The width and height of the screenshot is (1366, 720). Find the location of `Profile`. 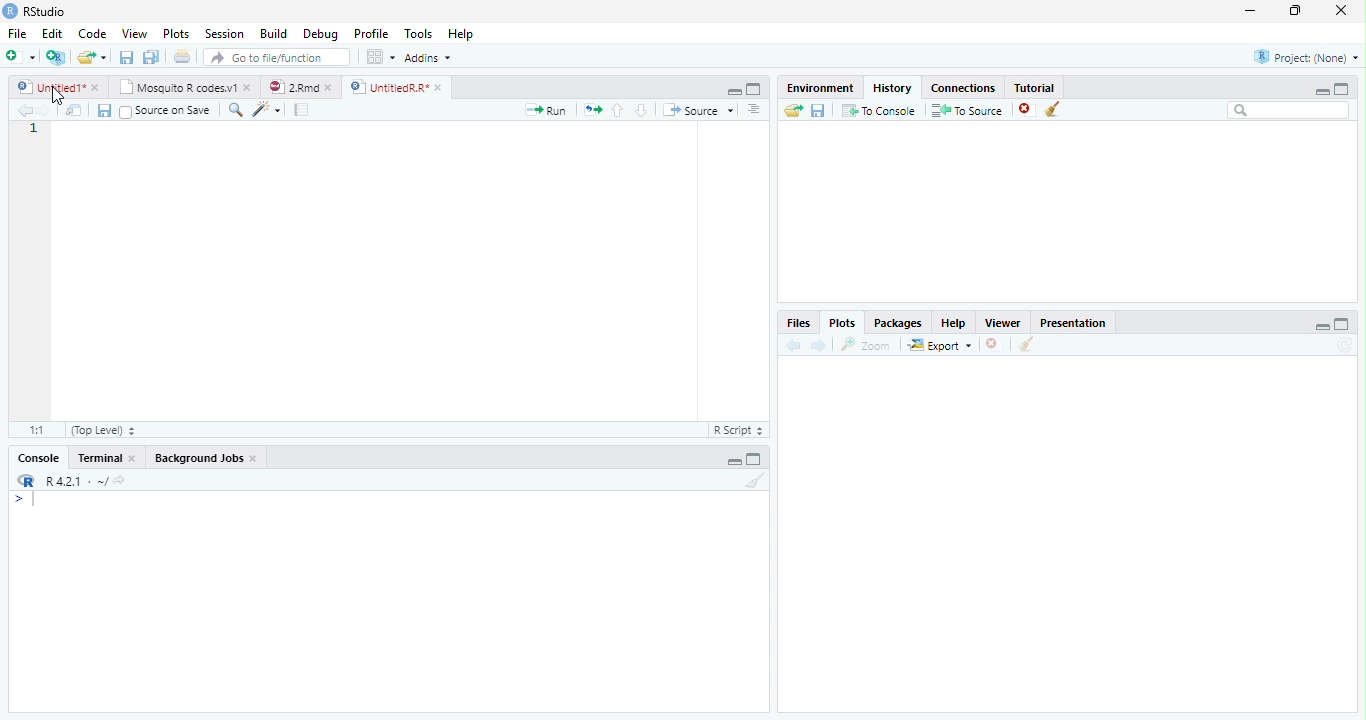

Profile is located at coordinates (372, 33).